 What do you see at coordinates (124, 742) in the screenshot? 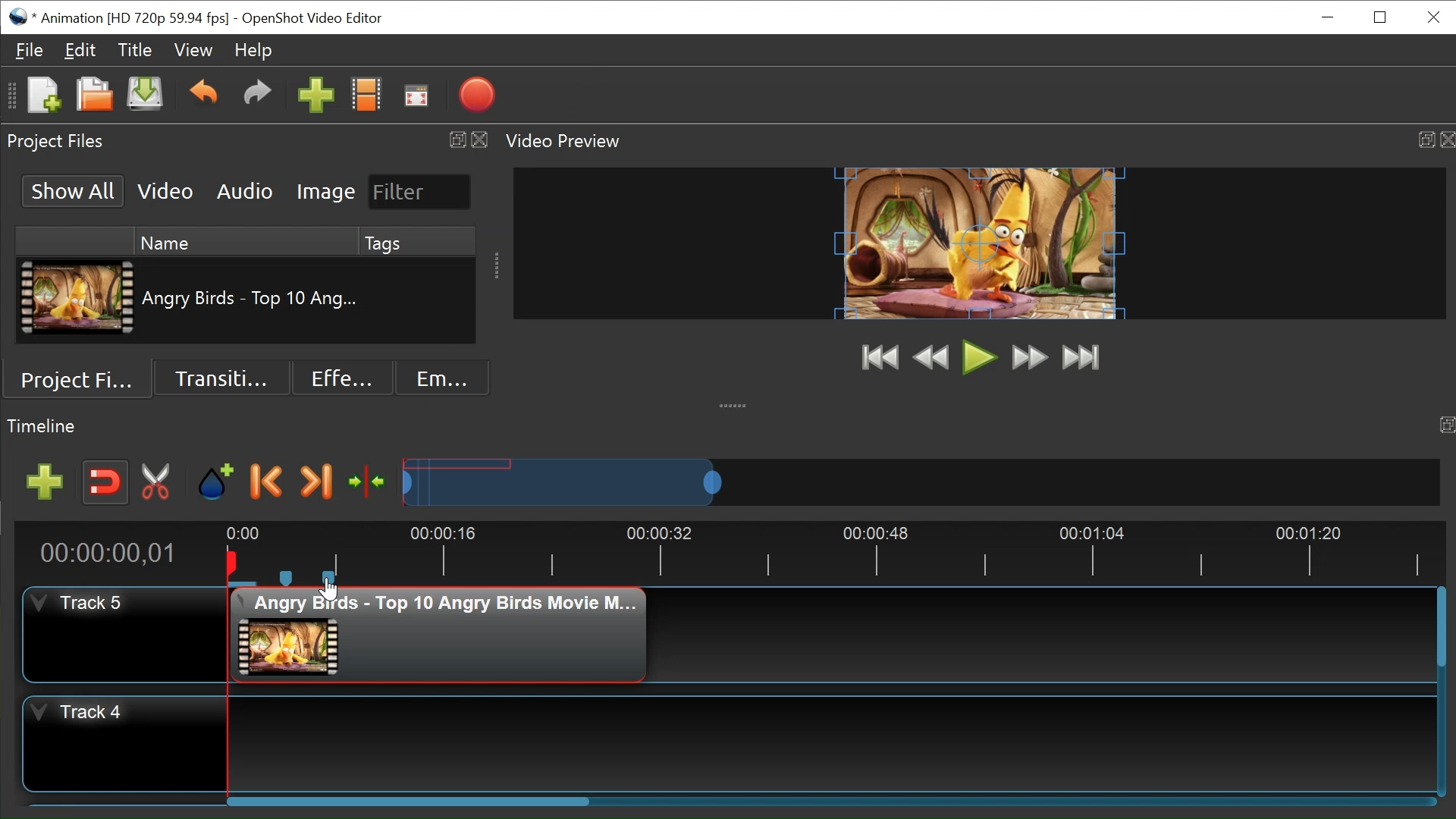
I see `Track Header` at bounding box center [124, 742].